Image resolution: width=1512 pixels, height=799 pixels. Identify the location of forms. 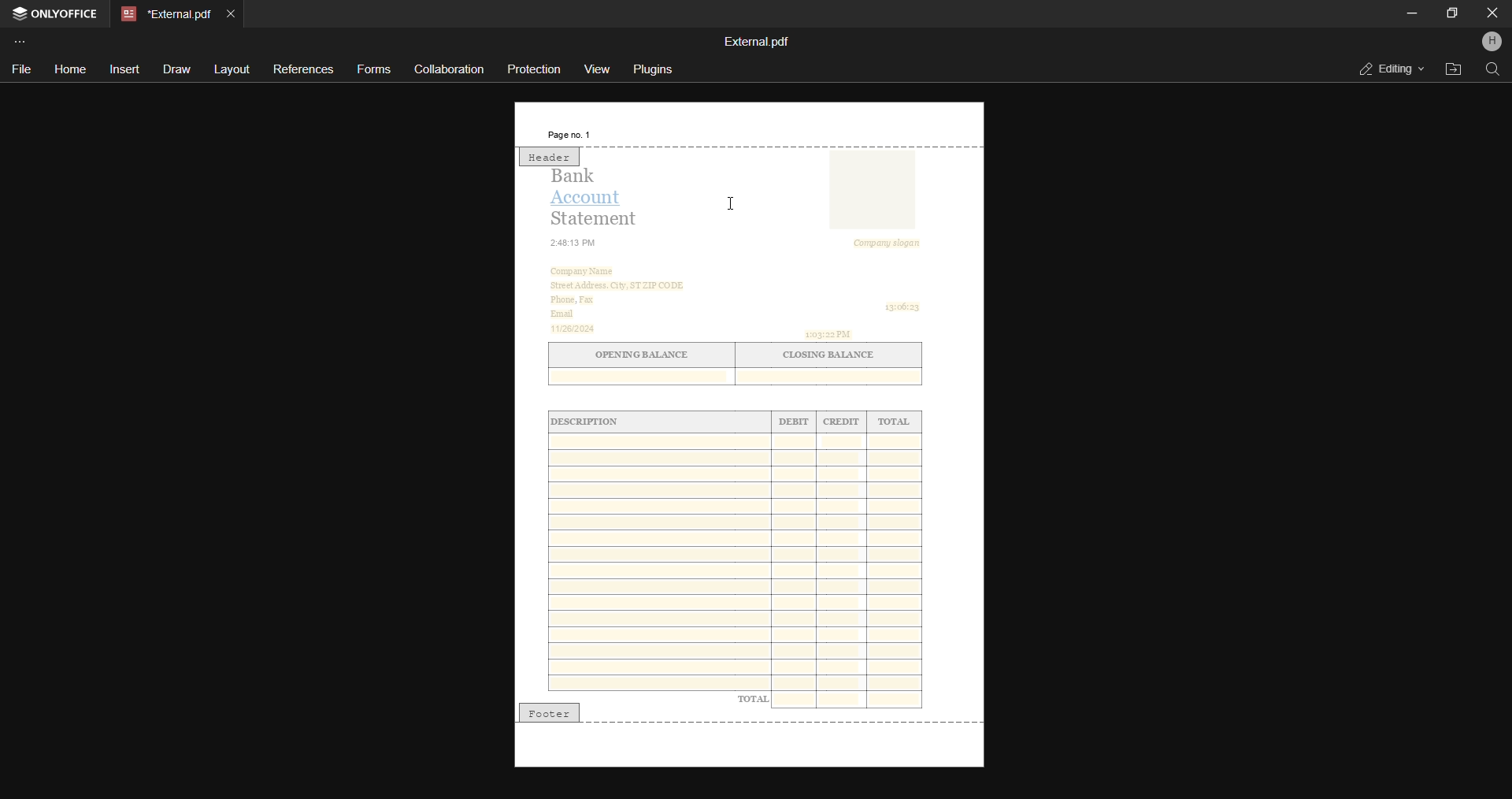
(376, 70).